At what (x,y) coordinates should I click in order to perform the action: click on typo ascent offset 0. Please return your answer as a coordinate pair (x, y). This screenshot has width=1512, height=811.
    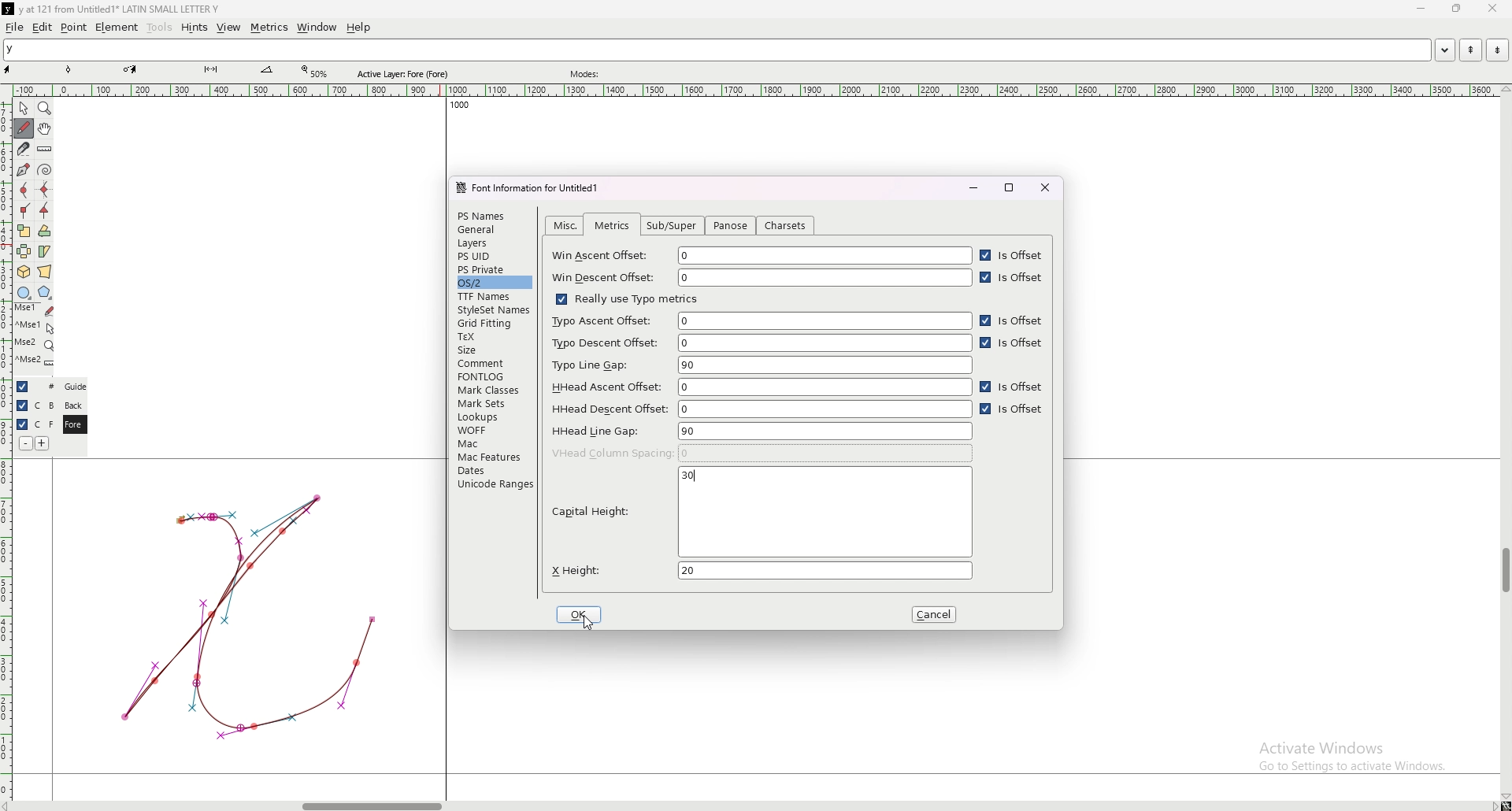
    Looking at the image, I should click on (760, 320).